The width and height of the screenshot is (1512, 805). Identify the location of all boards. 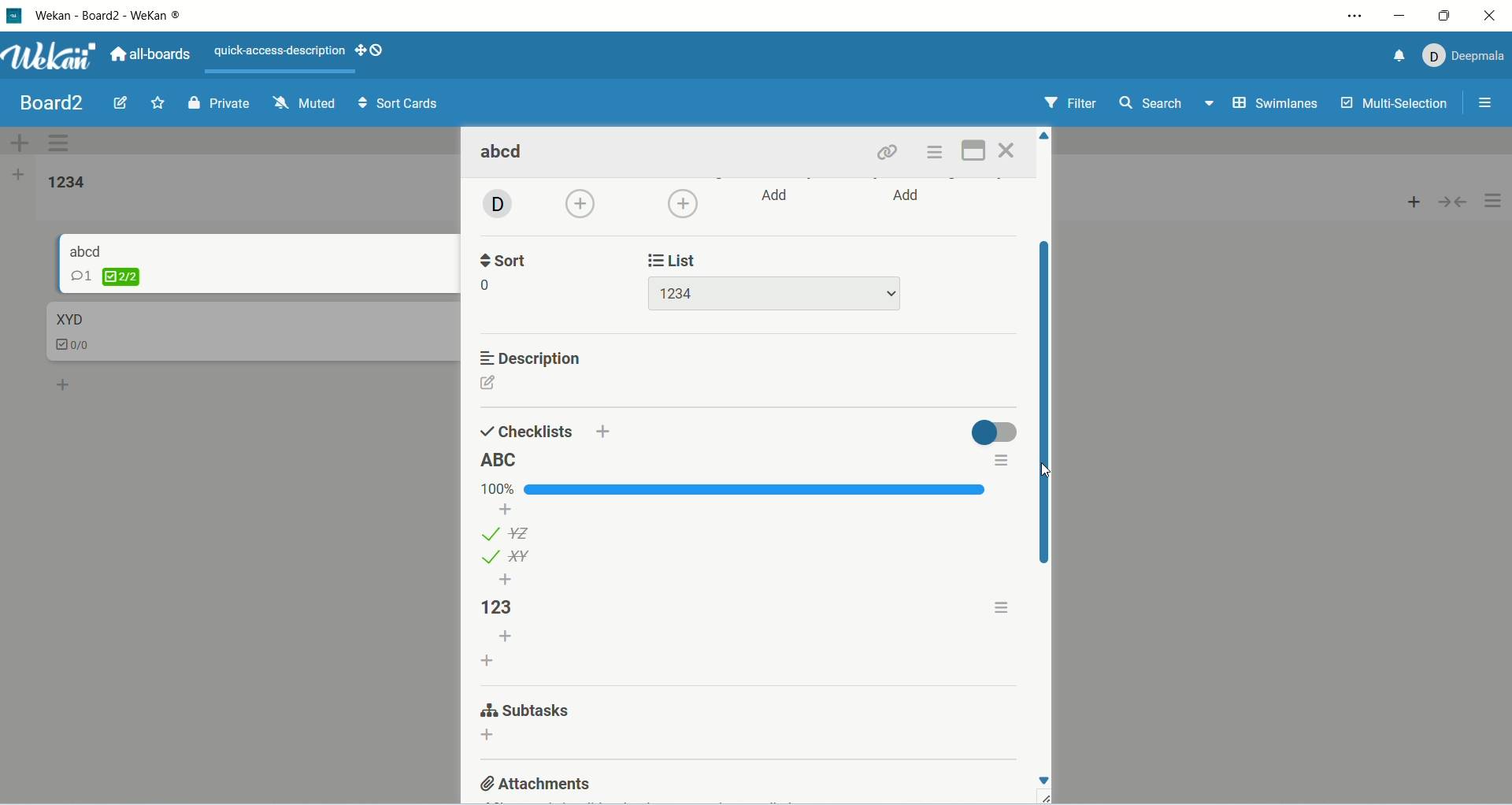
(154, 54).